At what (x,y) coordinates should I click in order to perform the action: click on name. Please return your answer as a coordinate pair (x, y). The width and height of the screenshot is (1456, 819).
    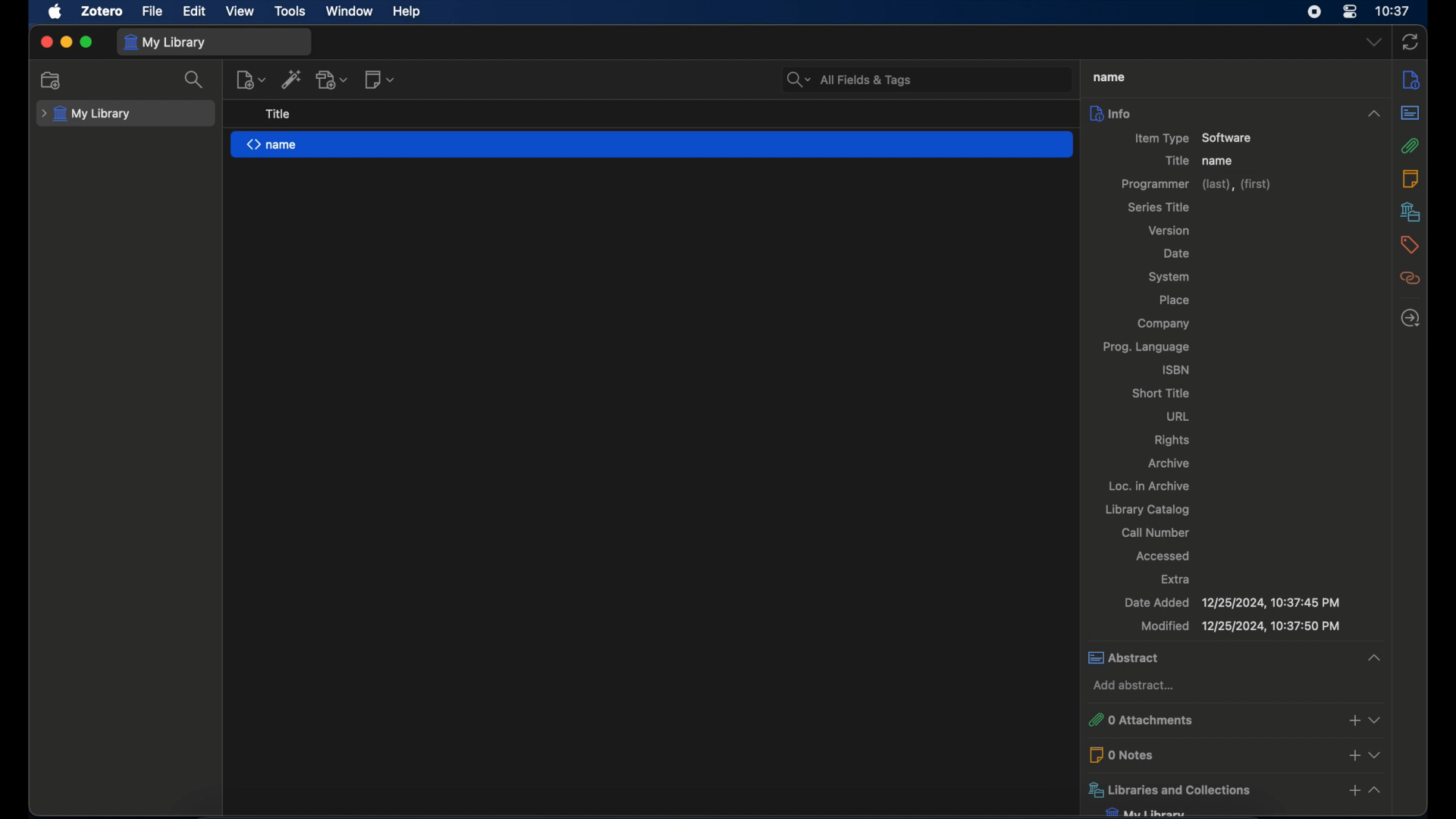
    Looking at the image, I should click on (1220, 161).